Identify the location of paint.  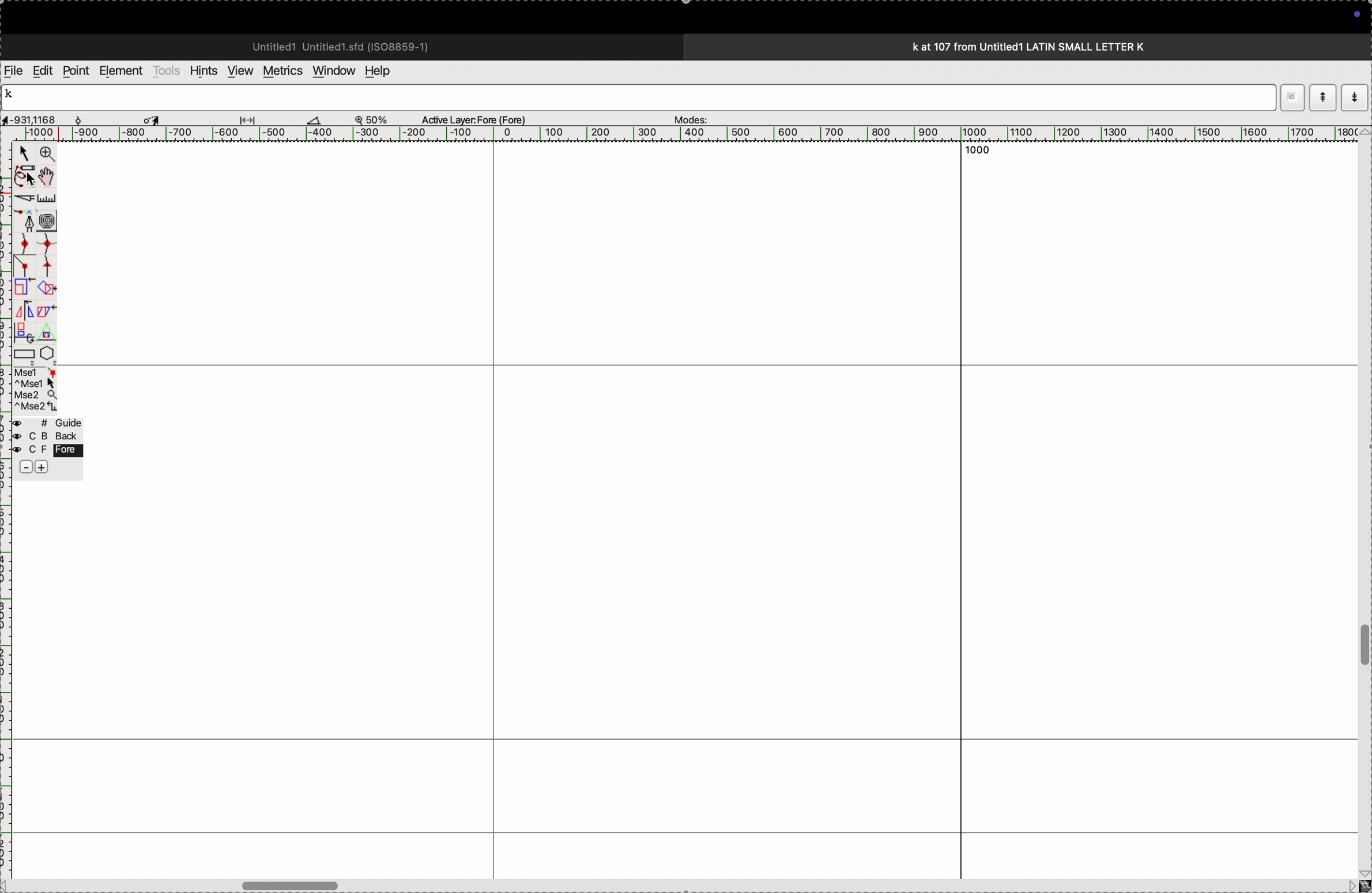
(48, 288).